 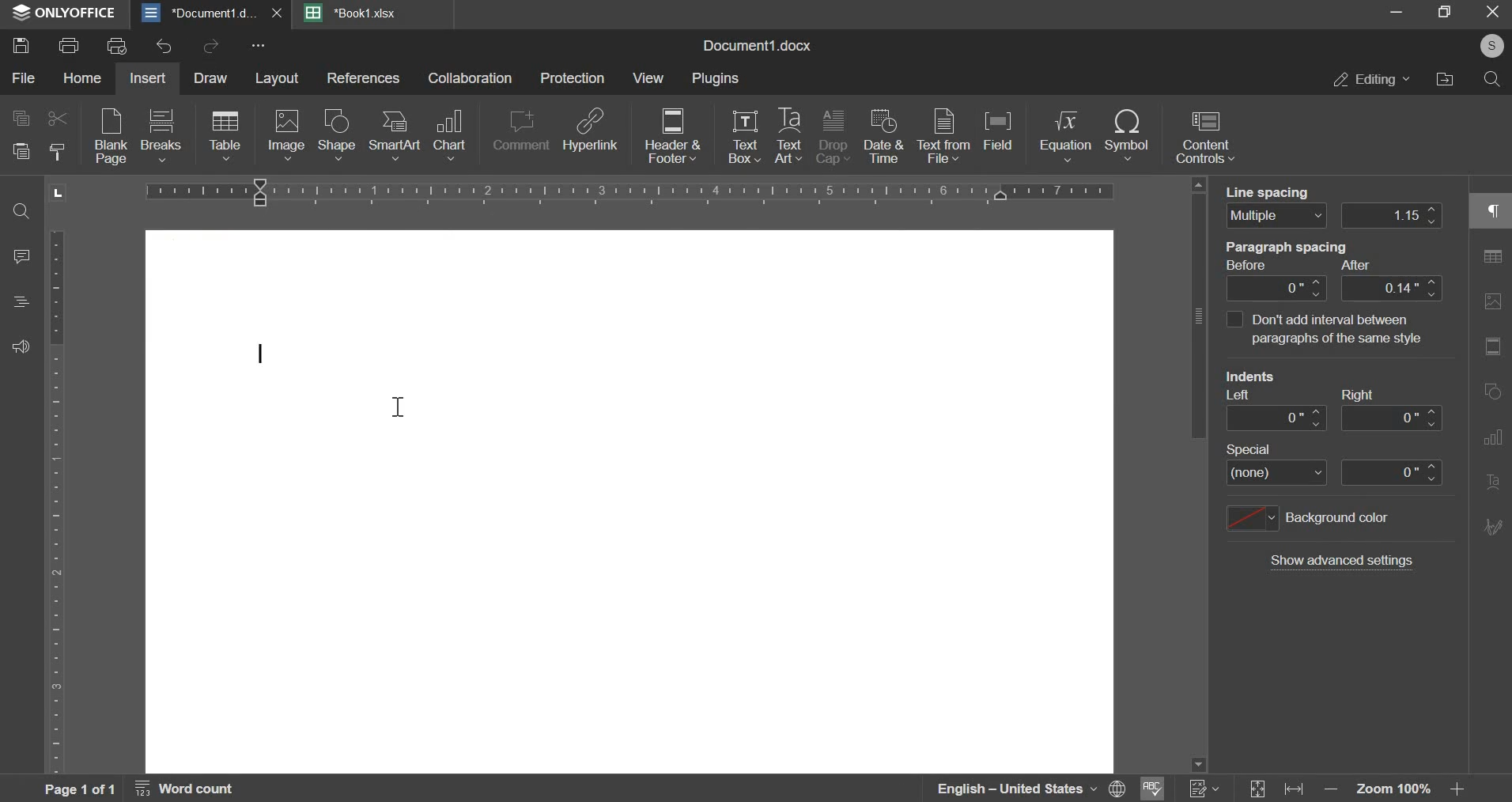 What do you see at coordinates (1260, 448) in the screenshot?
I see `special label` at bounding box center [1260, 448].